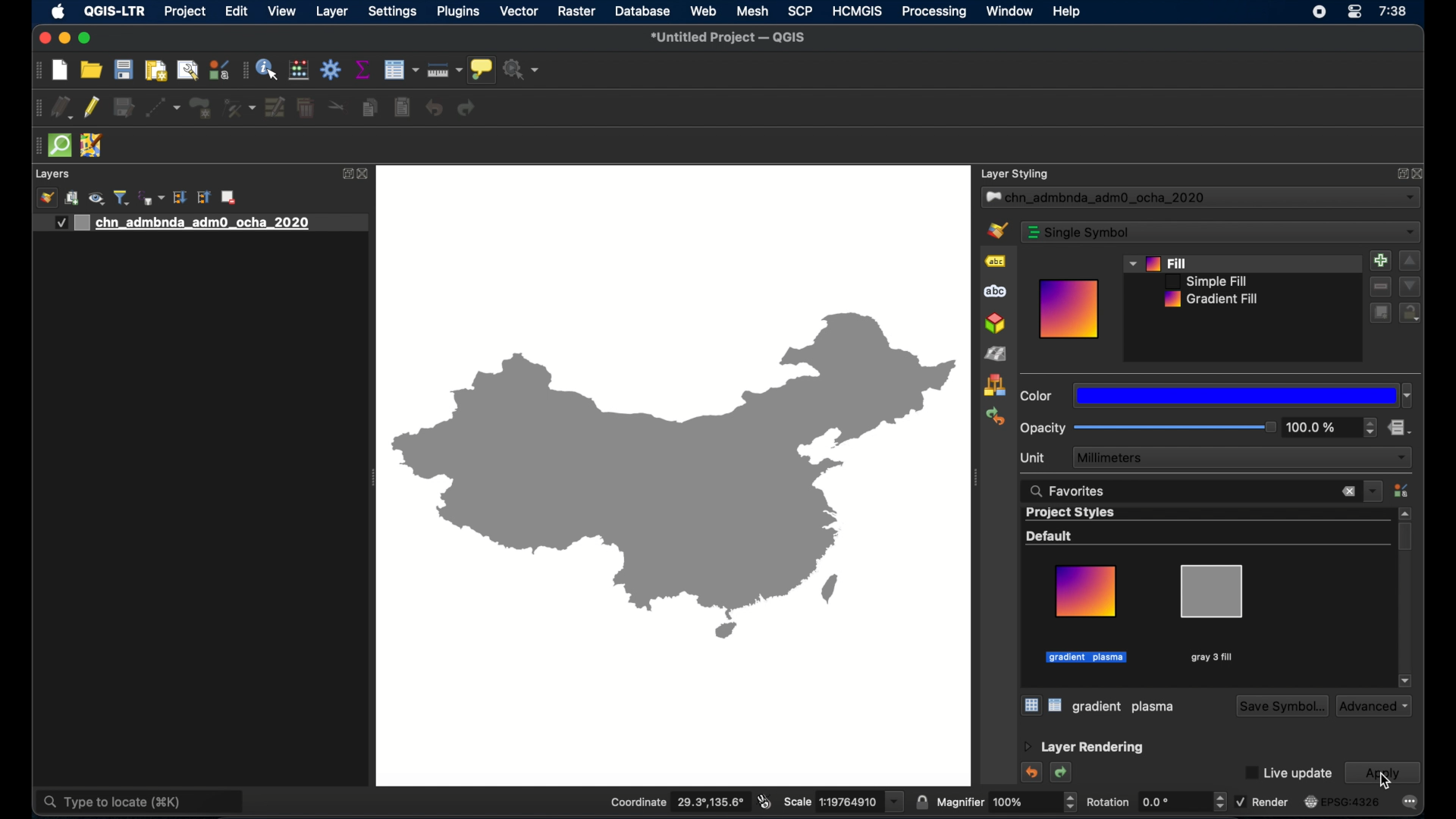  Describe the element at coordinates (1072, 806) in the screenshot. I see `increase/decrease arrows` at that location.